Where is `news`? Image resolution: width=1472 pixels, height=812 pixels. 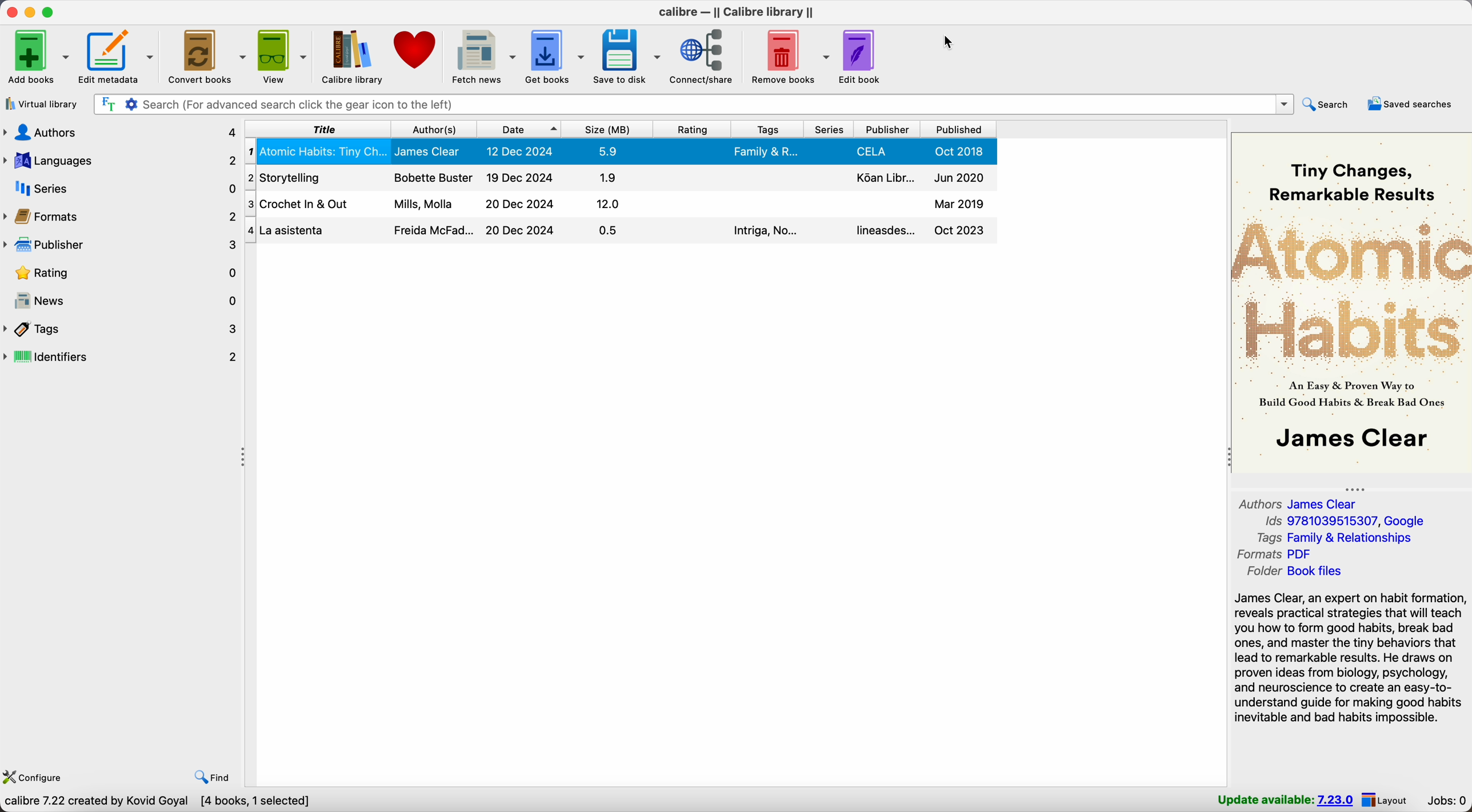 news is located at coordinates (122, 301).